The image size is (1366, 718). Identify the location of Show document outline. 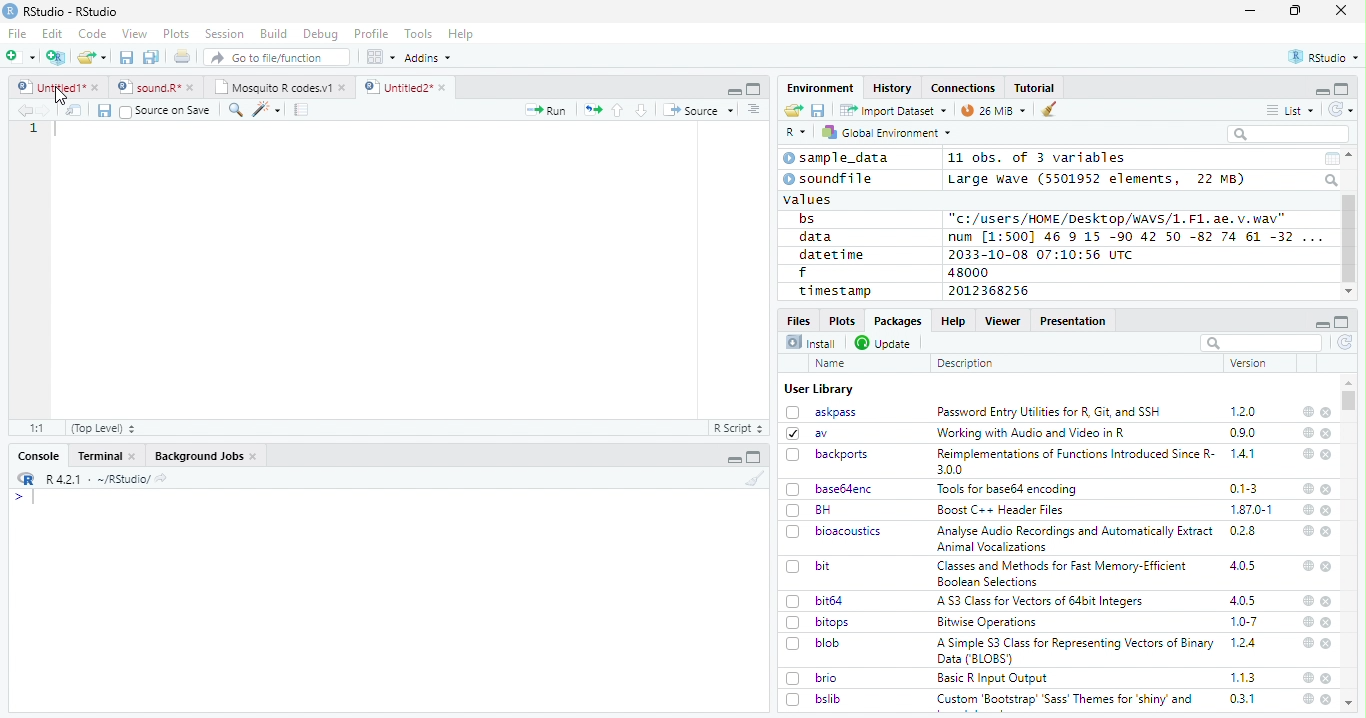
(752, 109).